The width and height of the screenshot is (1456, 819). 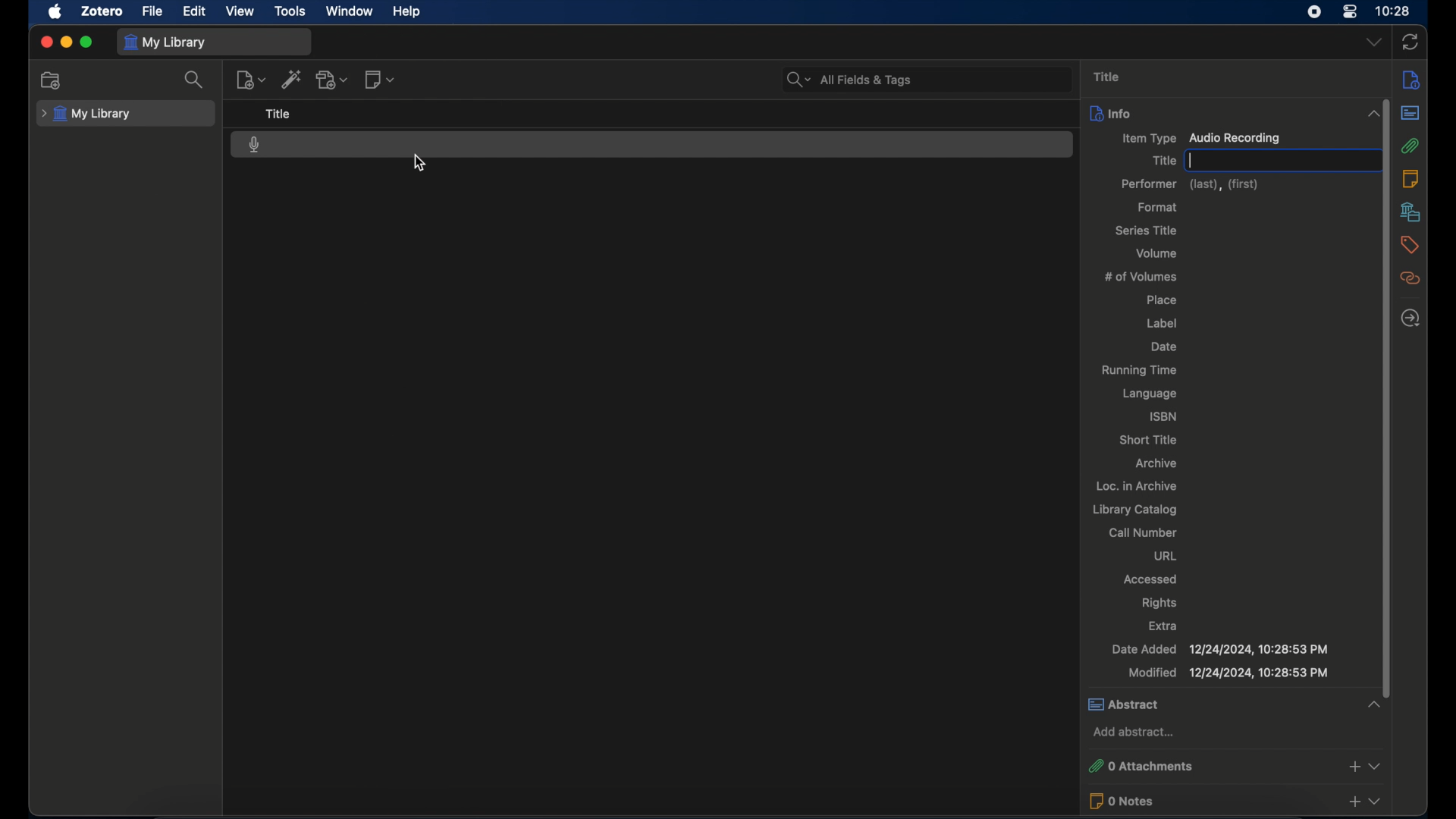 I want to click on add abstract, so click(x=1132, y=732).